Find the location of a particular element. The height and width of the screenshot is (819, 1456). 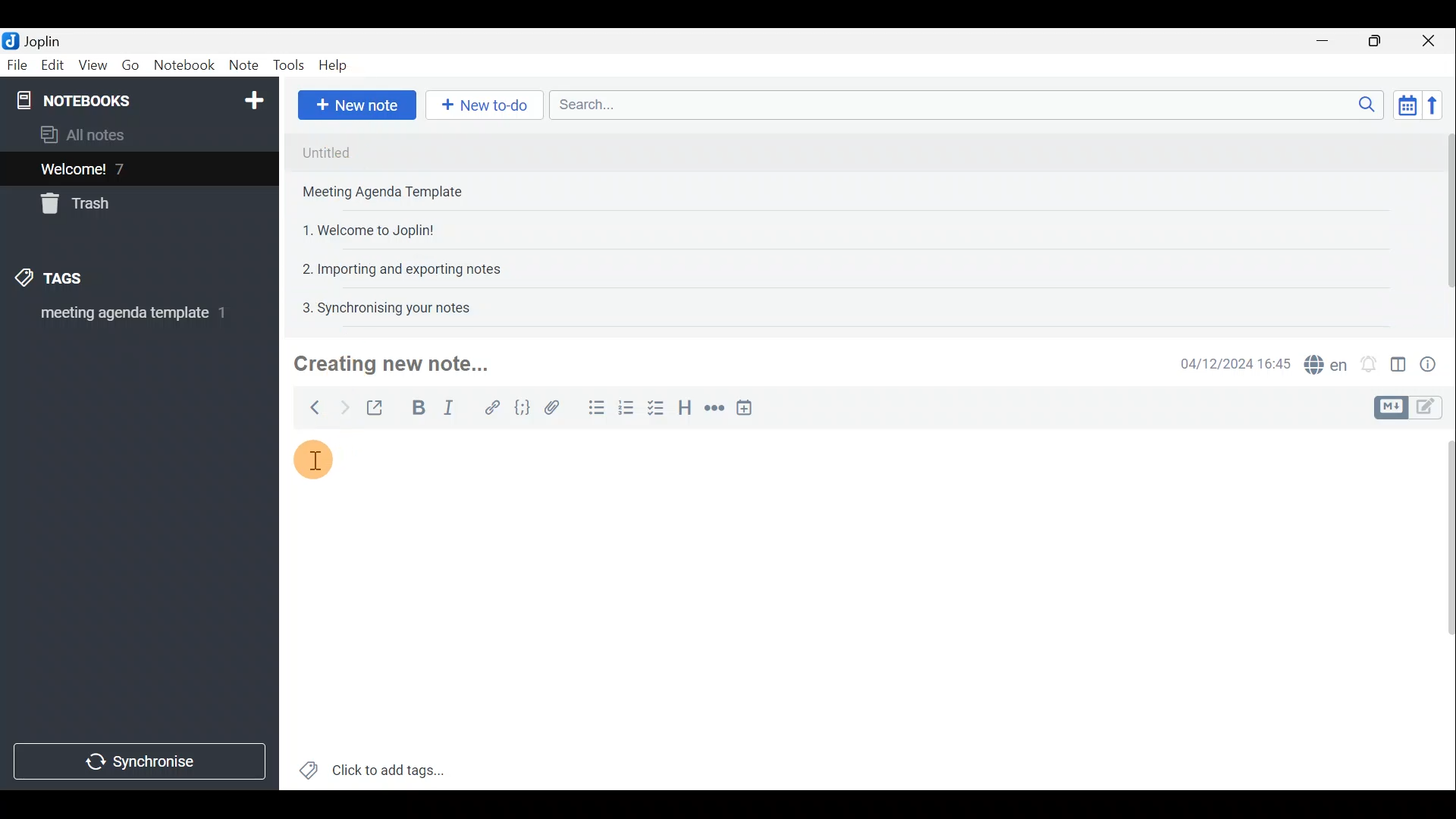

Numbered list is located at coordinates (630, 412).